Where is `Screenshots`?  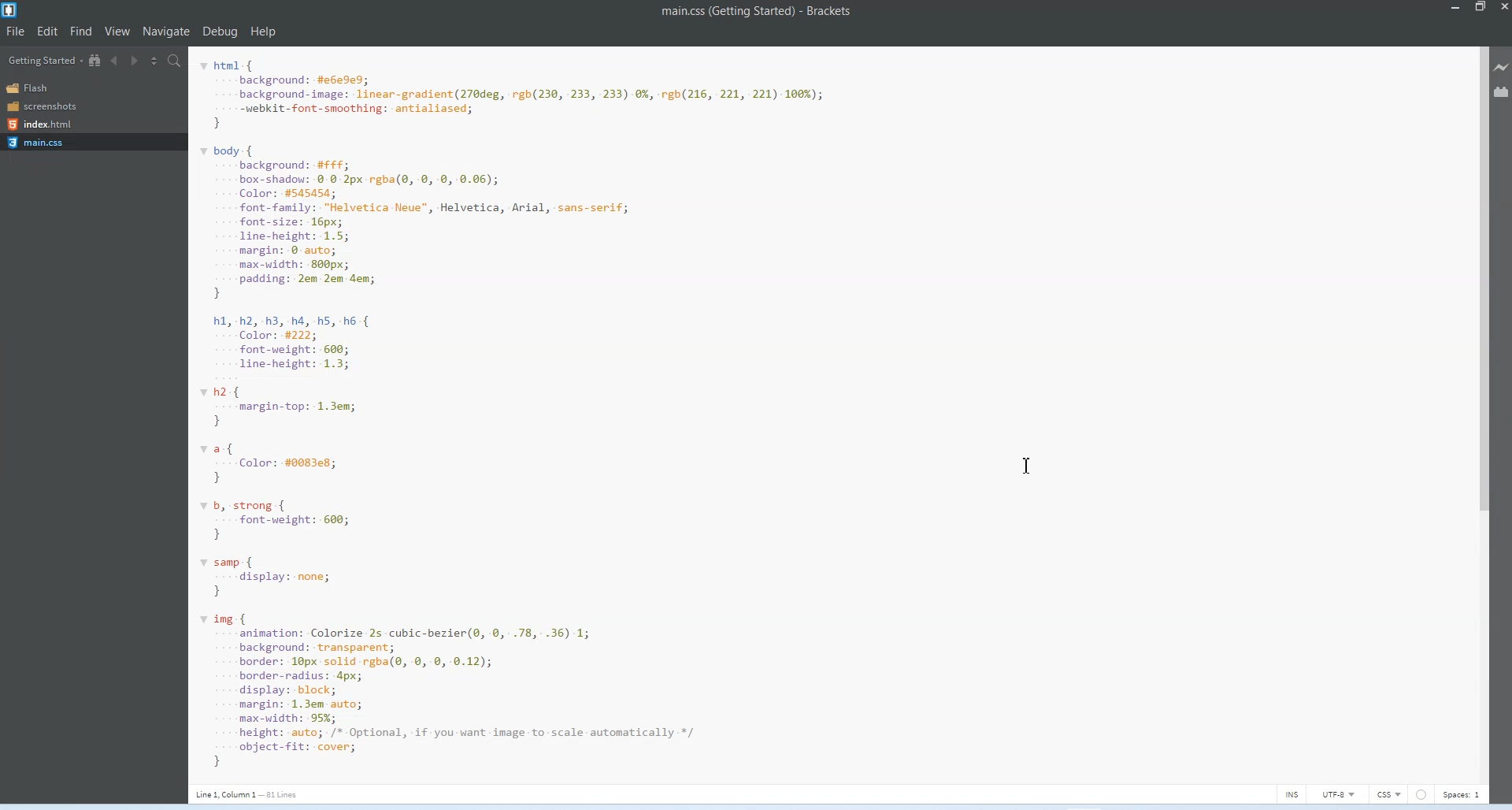 Screenshots is located at coordinates (41, 106).